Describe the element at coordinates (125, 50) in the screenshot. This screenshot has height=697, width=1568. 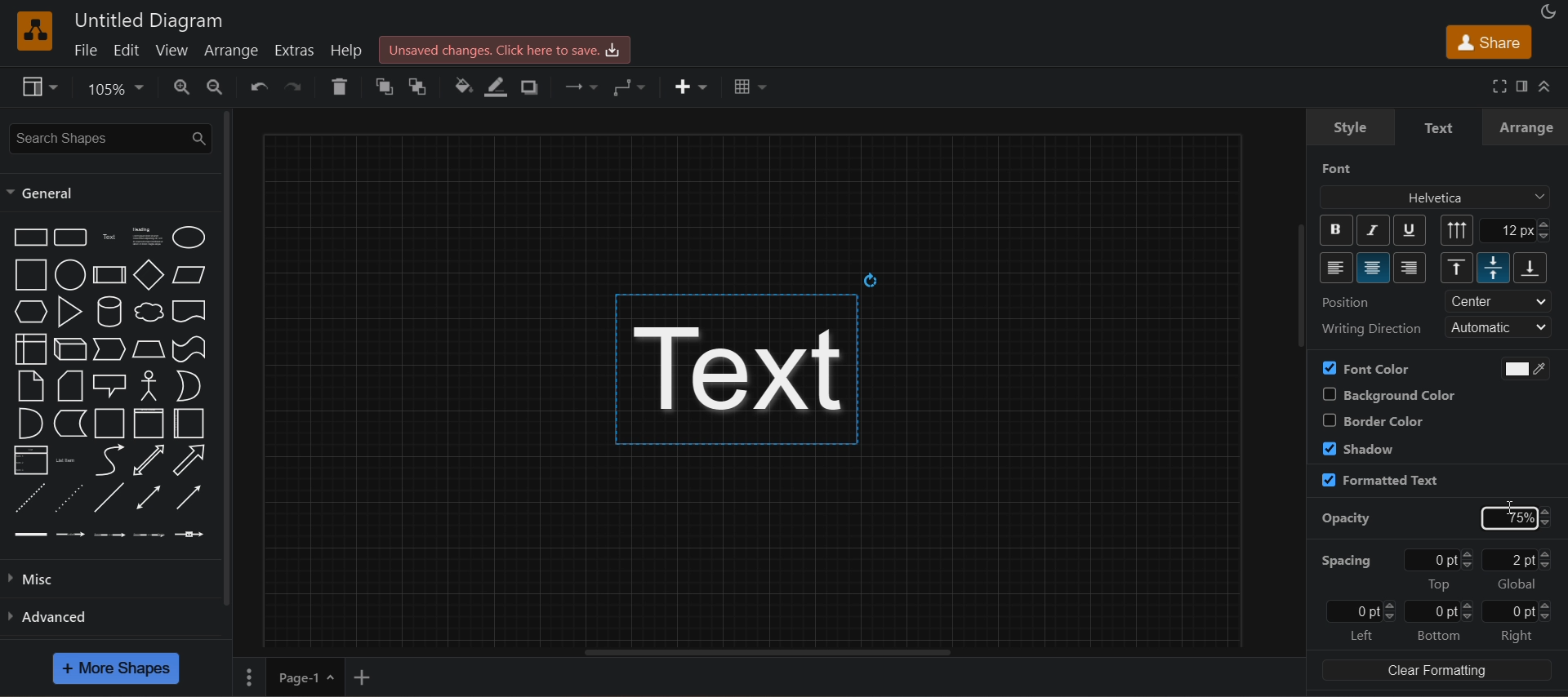
I see `edit` at that location.